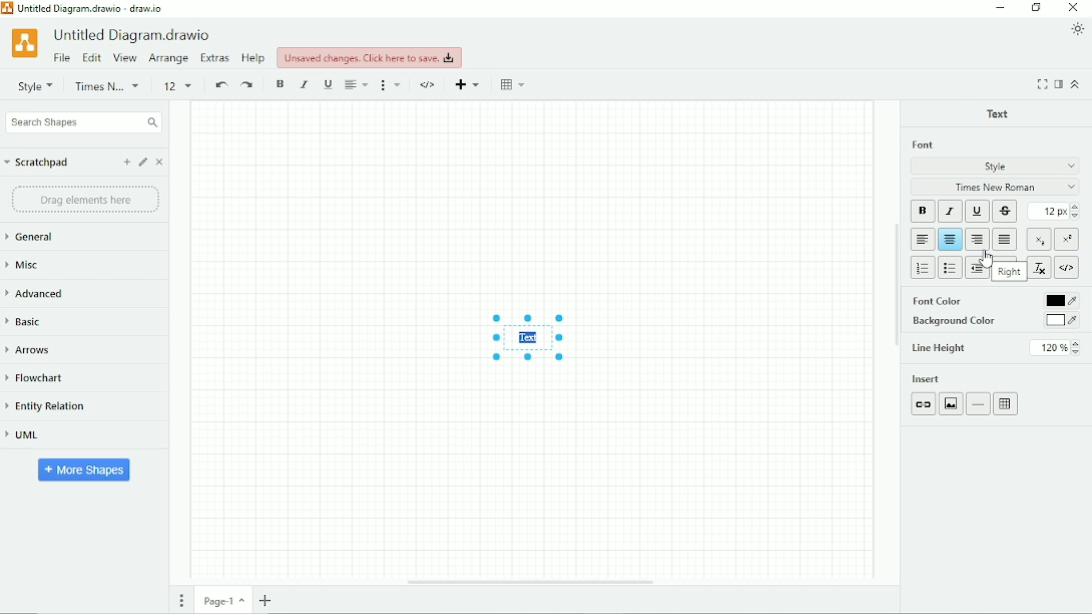 Image resolution: width=1092 pixels, height=614 pixels. Describe the element at coordinates (216, 59) in the screenshot. I see `Extras` at that location.